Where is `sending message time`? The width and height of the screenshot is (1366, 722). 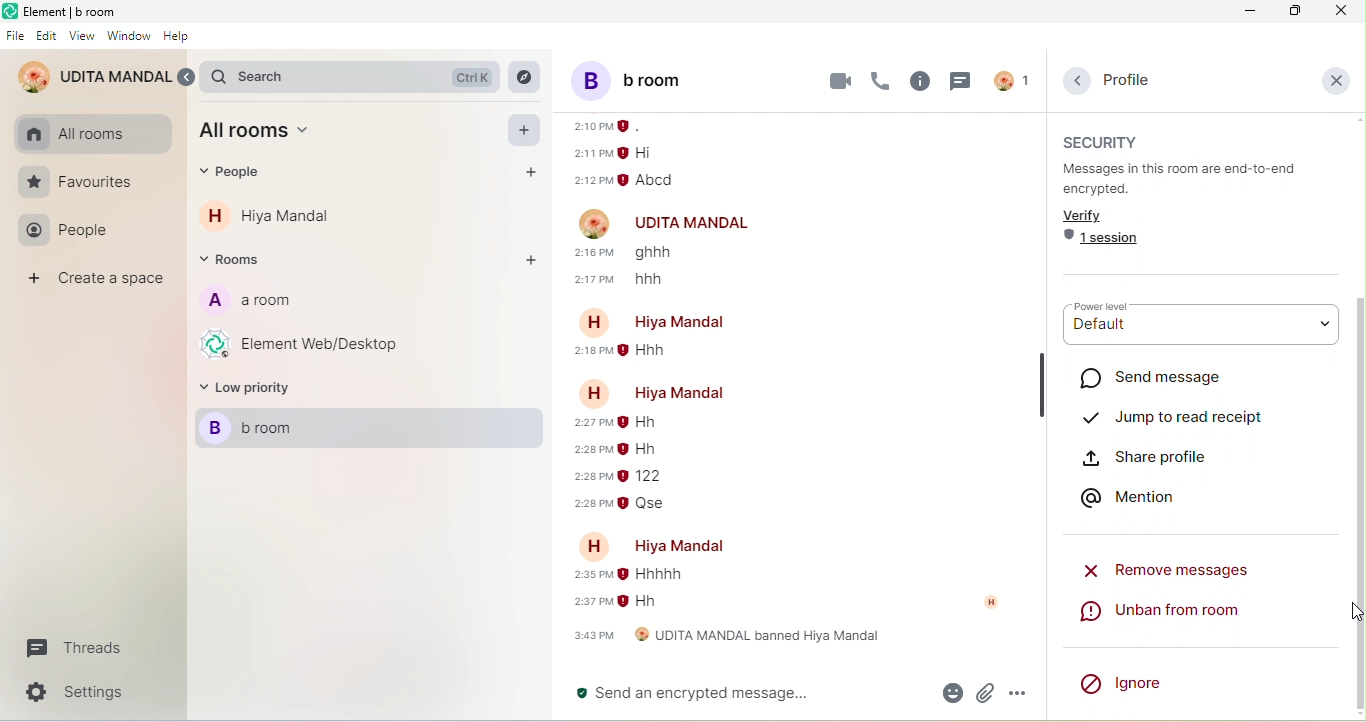 sending message time is located at coordinates (596, 280).